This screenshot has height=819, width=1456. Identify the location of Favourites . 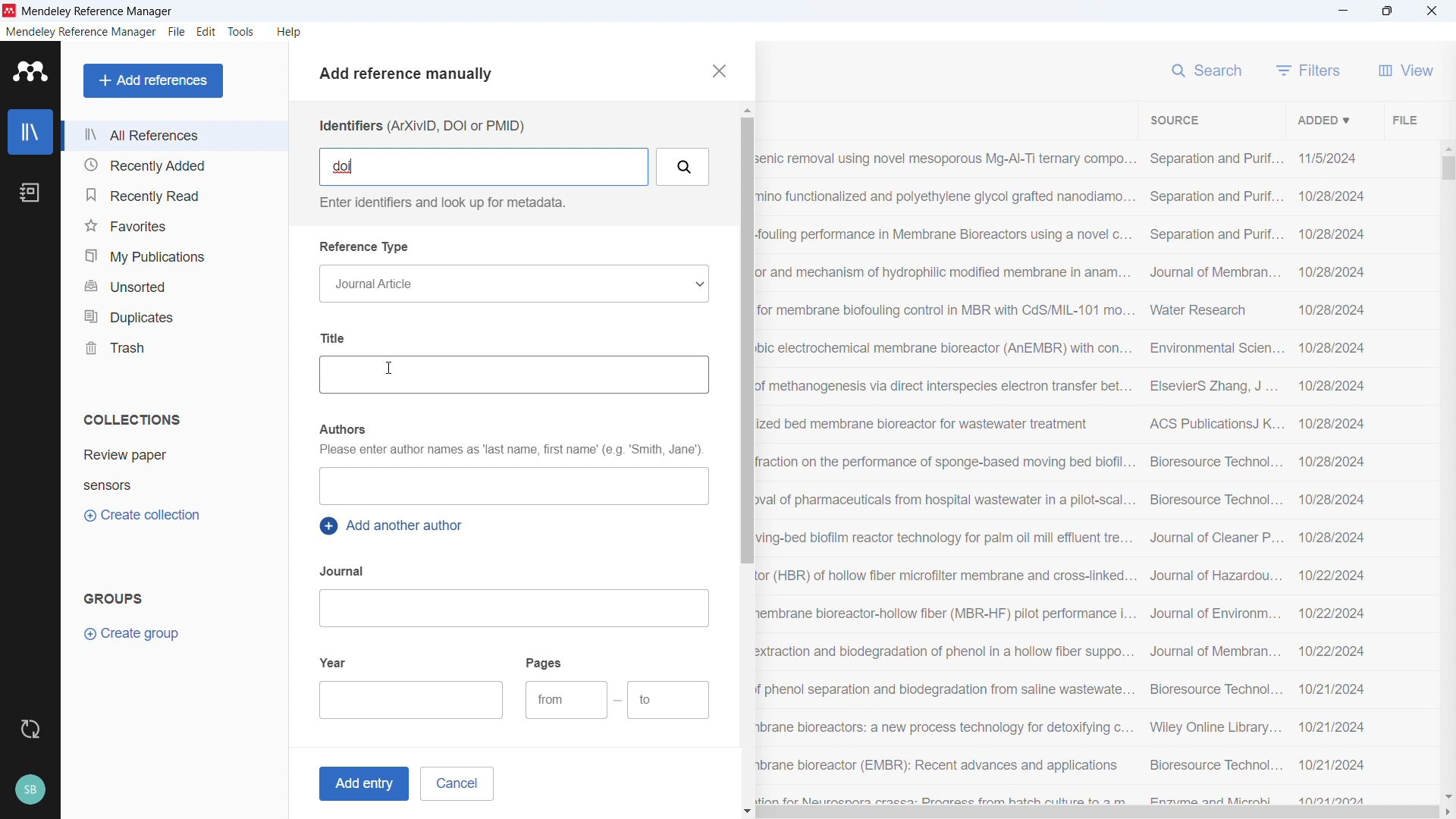
(173, 225).